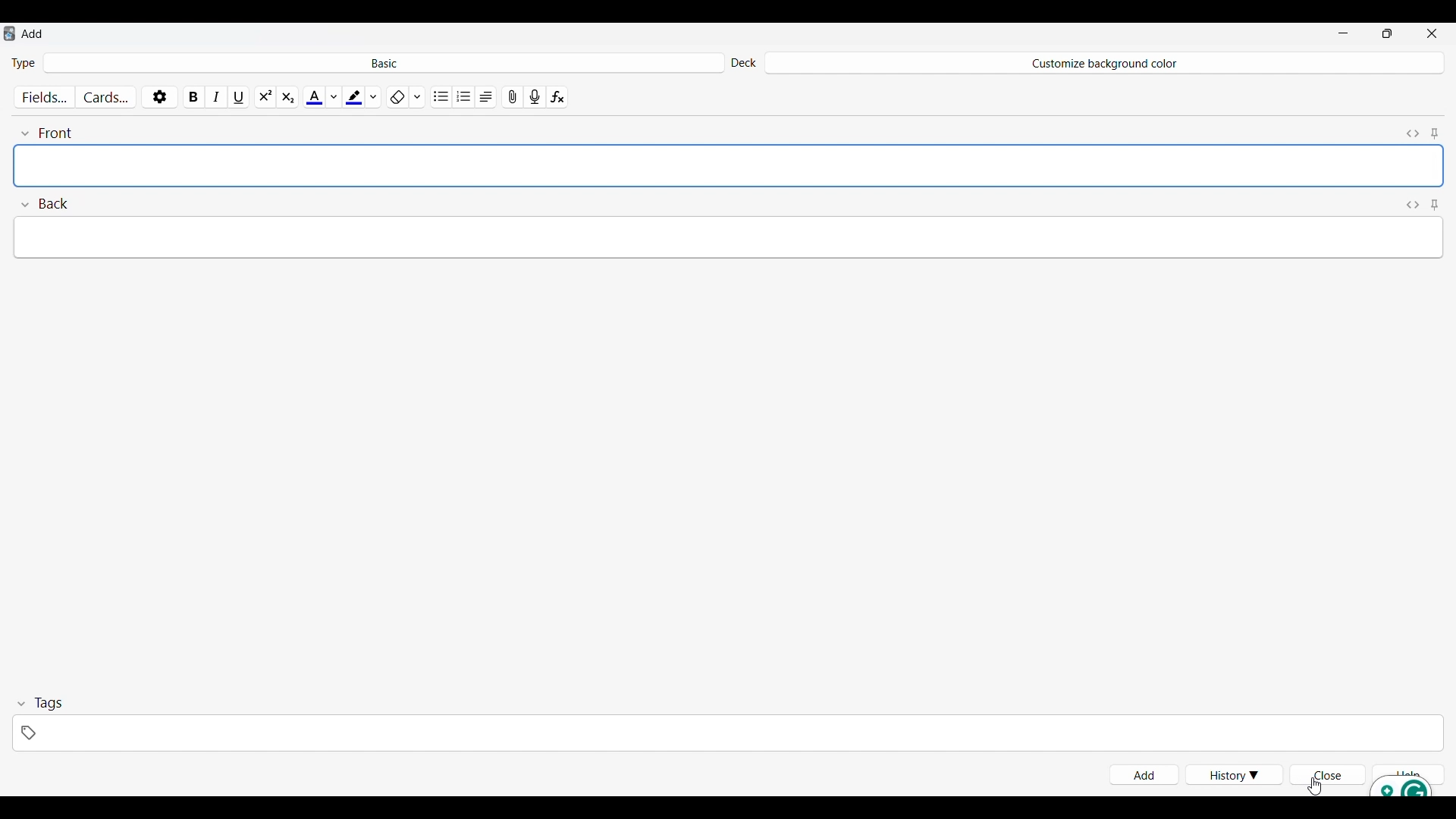 The height and width of the screenshot is (819, 1456). What do you see at coordinates (1407, 770) in the screenshot?
I see `Help` at bounding box center [1407, 770].